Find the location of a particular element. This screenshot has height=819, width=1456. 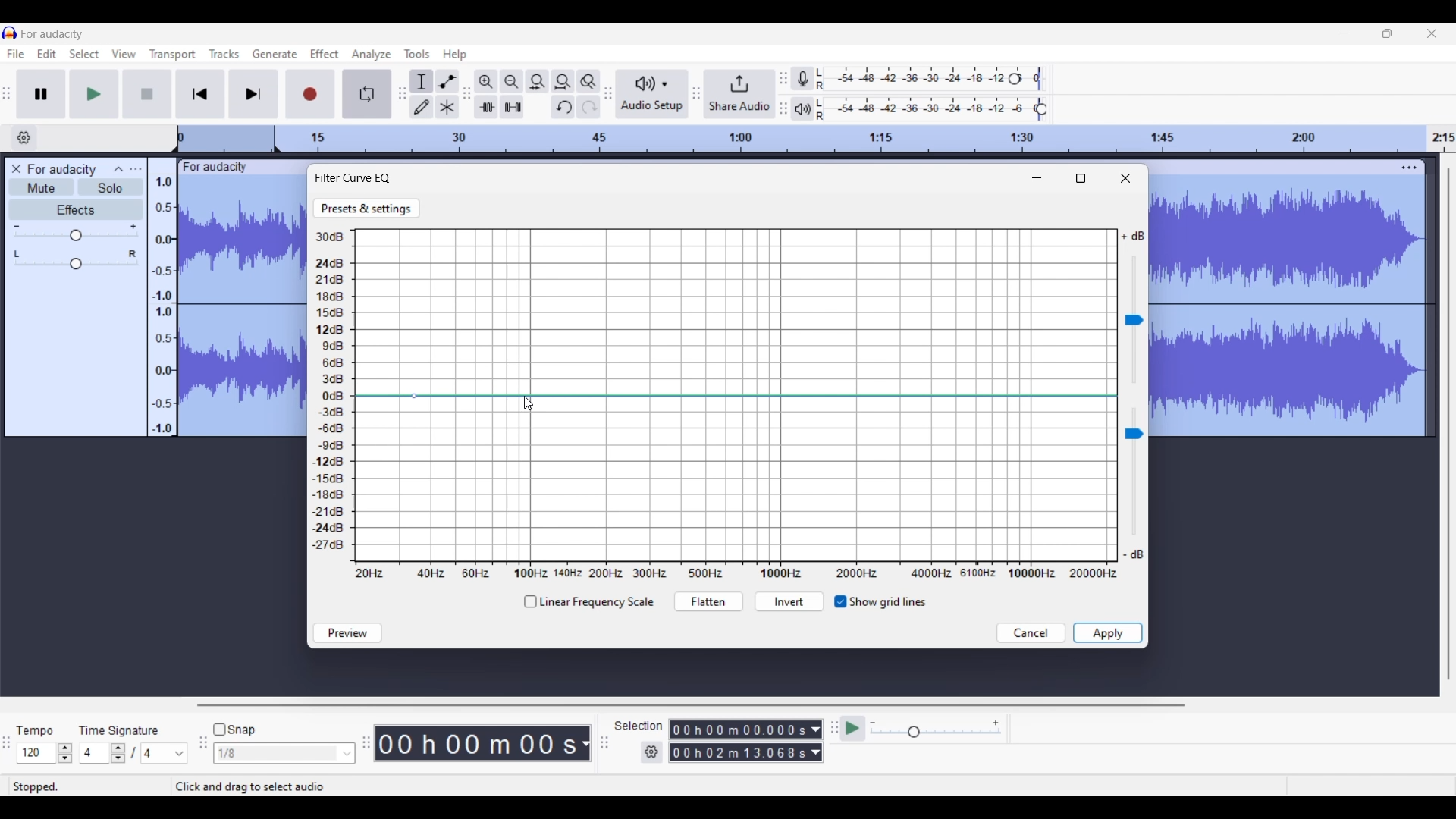

Selection is located at coordinates (639, 727).